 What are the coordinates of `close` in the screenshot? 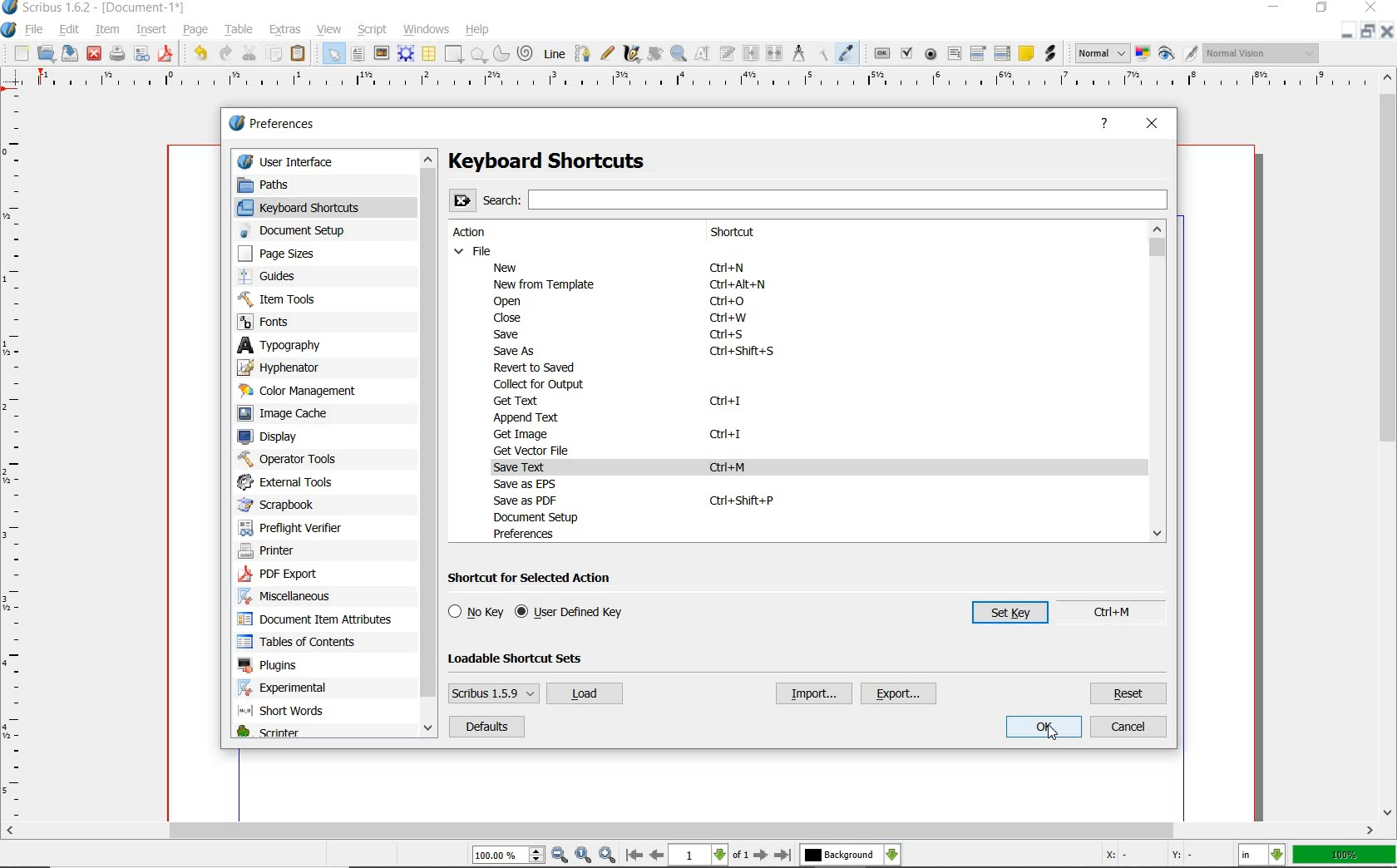 It's located at (94, 52).